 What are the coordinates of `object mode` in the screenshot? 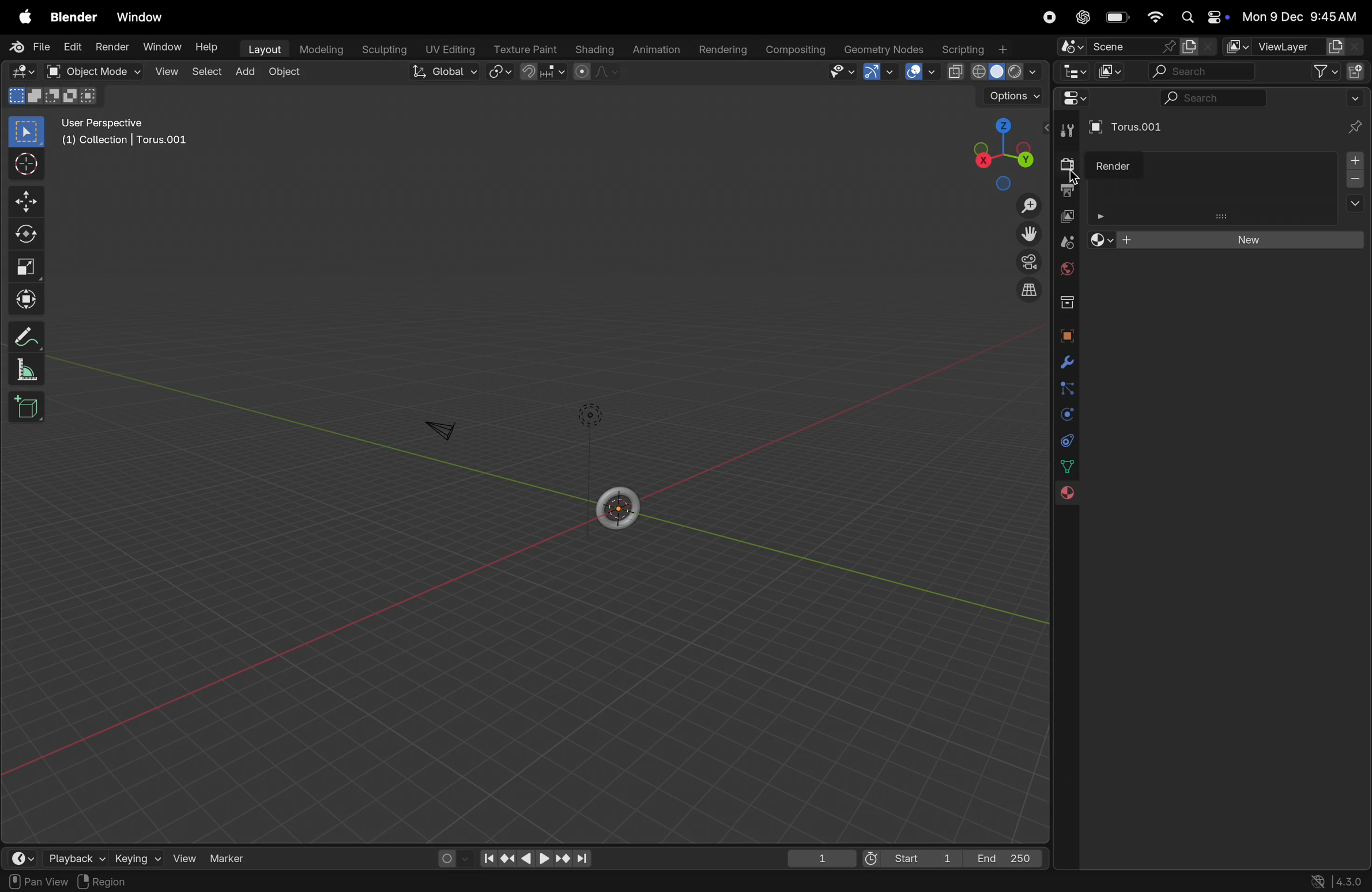 It's located at (95, 72).